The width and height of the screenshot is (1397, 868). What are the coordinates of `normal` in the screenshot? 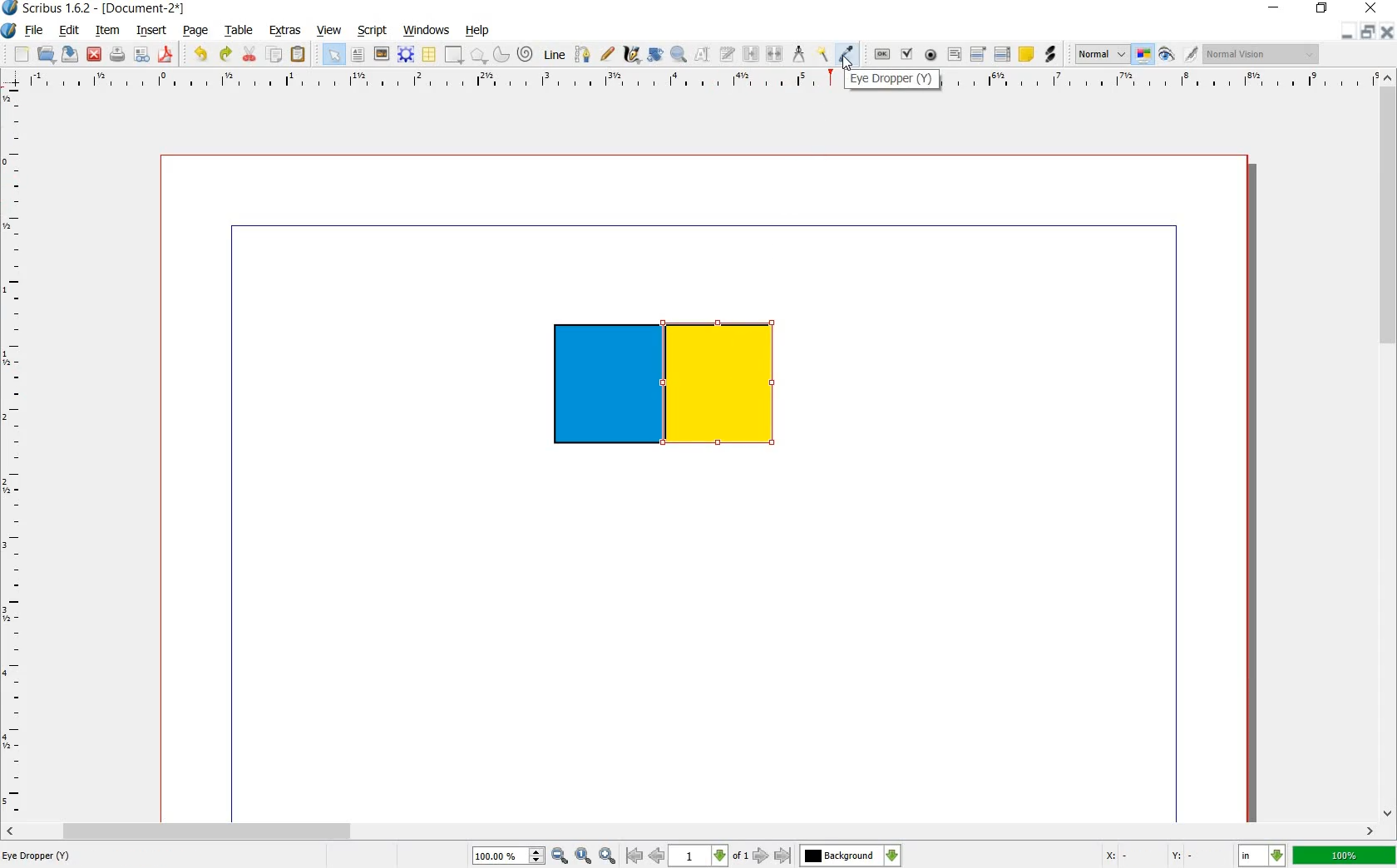 It's located at (1102, 54).